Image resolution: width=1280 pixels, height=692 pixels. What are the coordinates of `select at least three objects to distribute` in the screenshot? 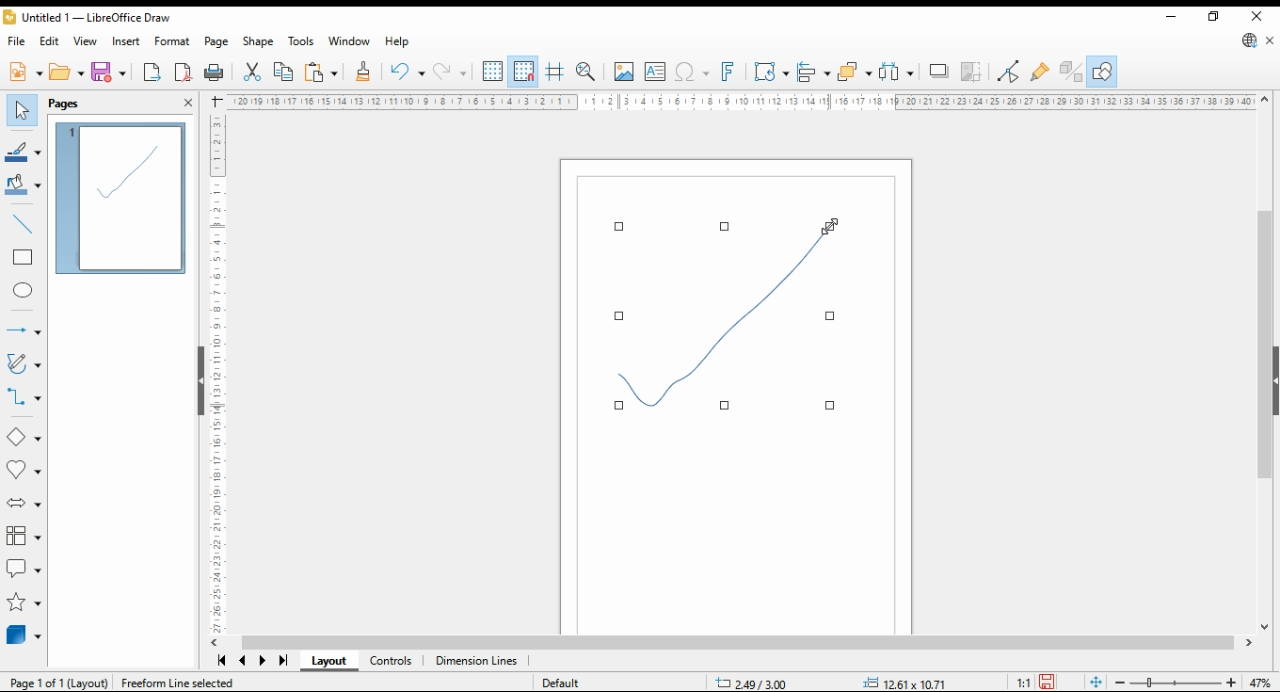 It's located at (896, 72).